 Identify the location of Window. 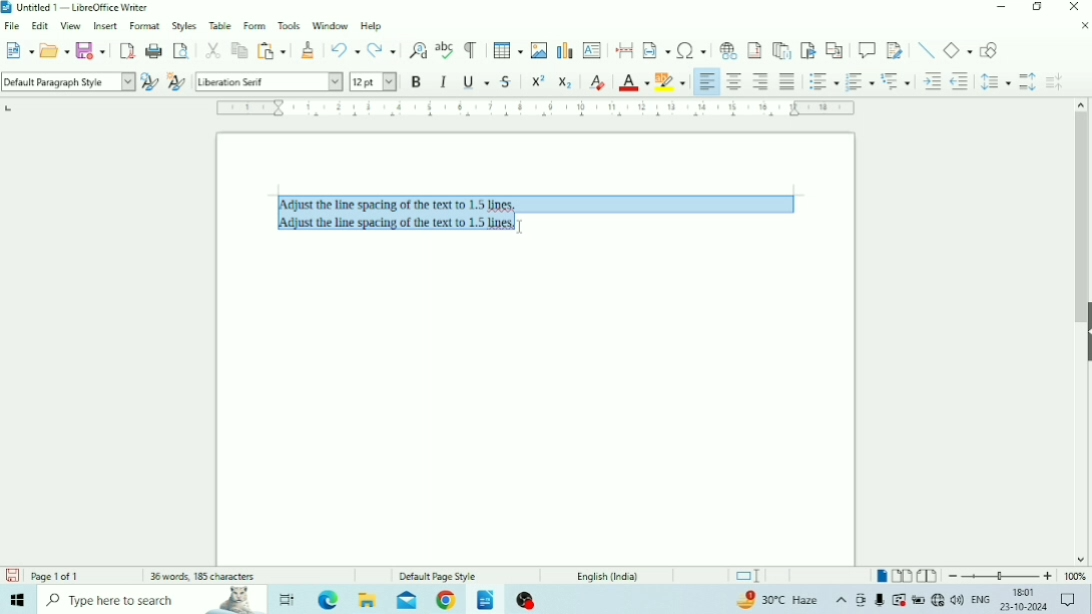
(331, 24).